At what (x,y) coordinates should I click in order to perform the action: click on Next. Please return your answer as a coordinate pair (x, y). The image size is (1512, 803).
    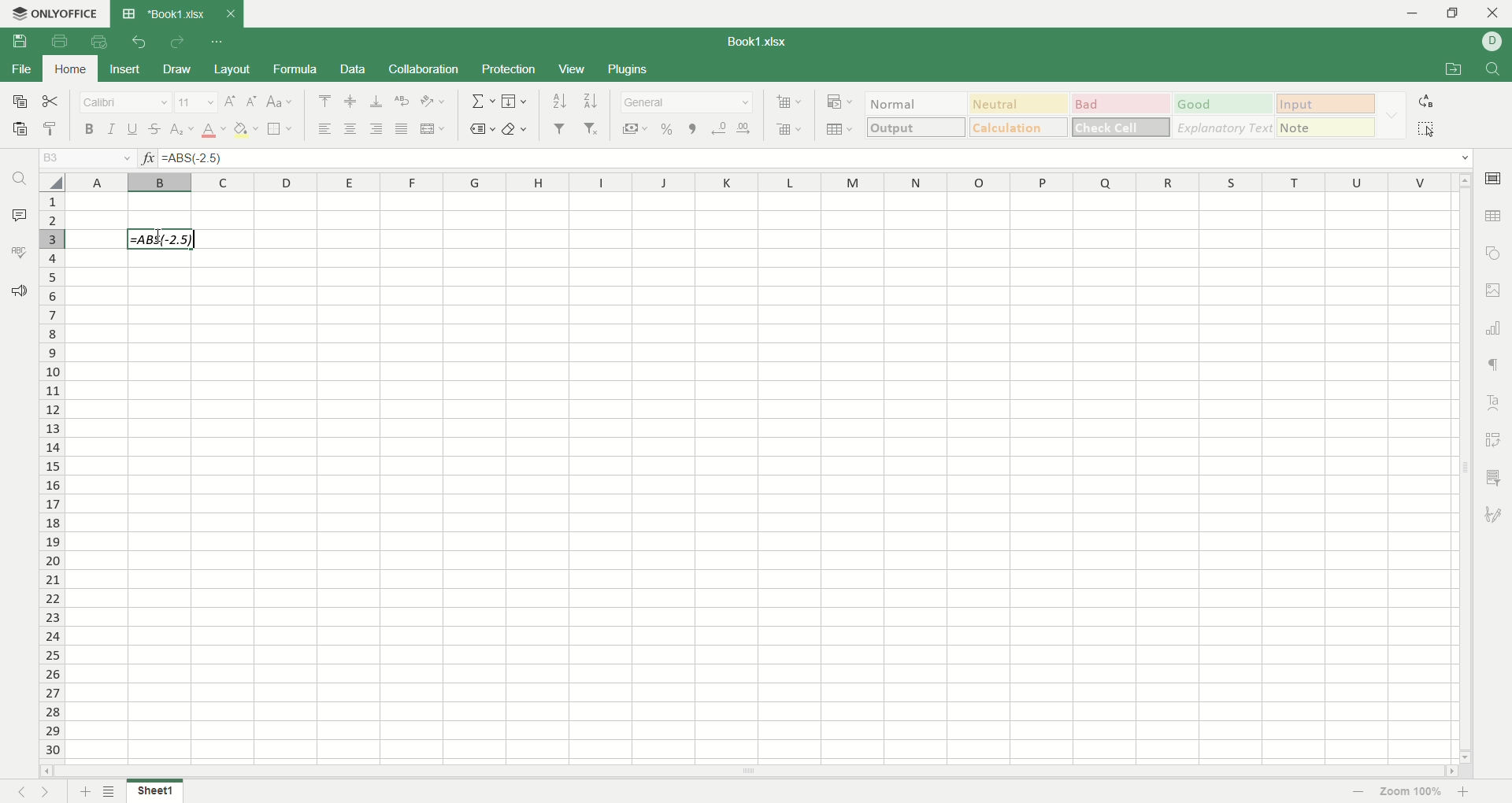
    Looking at the image, I should click on (48, 791).